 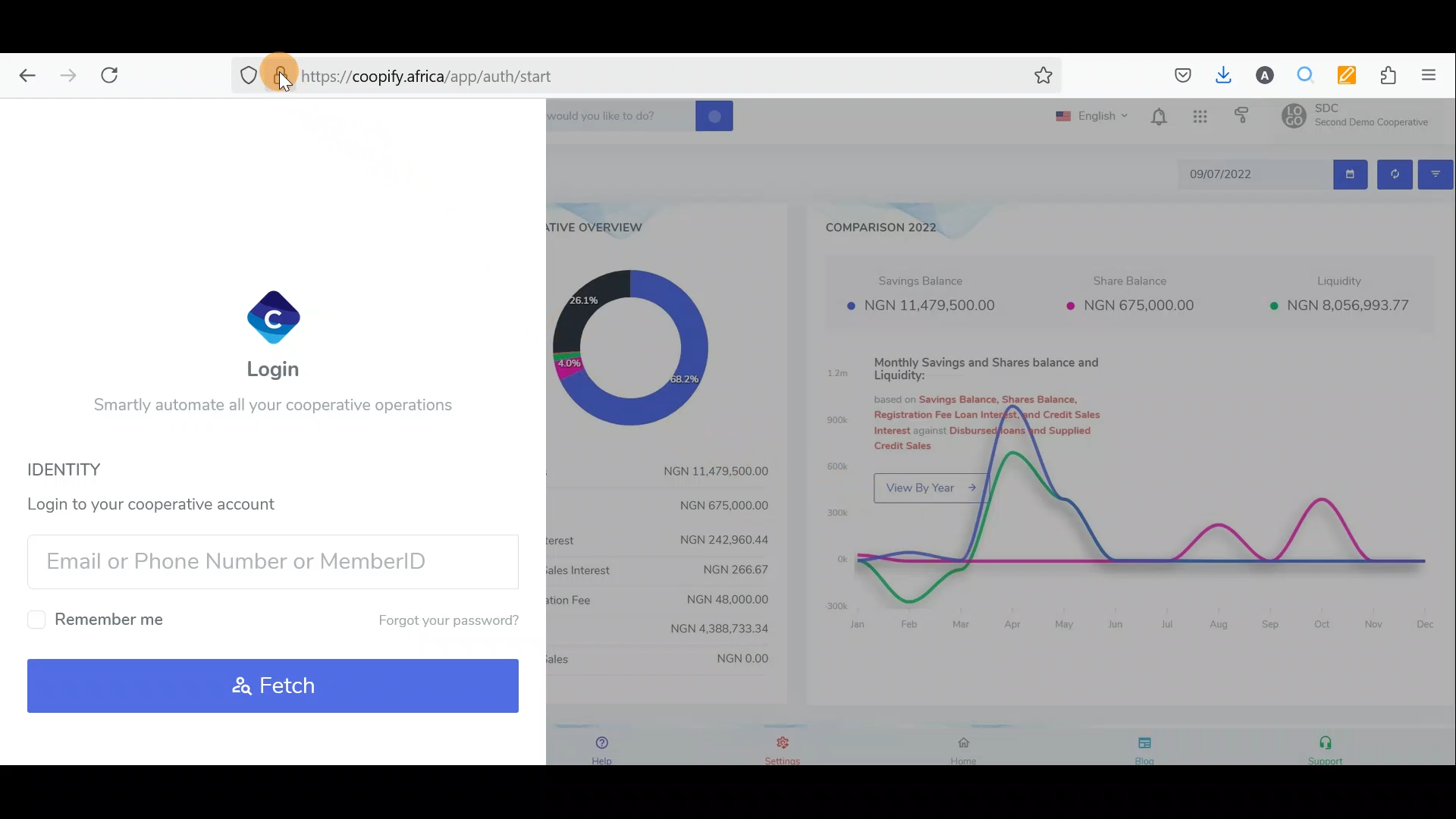 I want to click on Go back one page, so click(x=23, y=76).